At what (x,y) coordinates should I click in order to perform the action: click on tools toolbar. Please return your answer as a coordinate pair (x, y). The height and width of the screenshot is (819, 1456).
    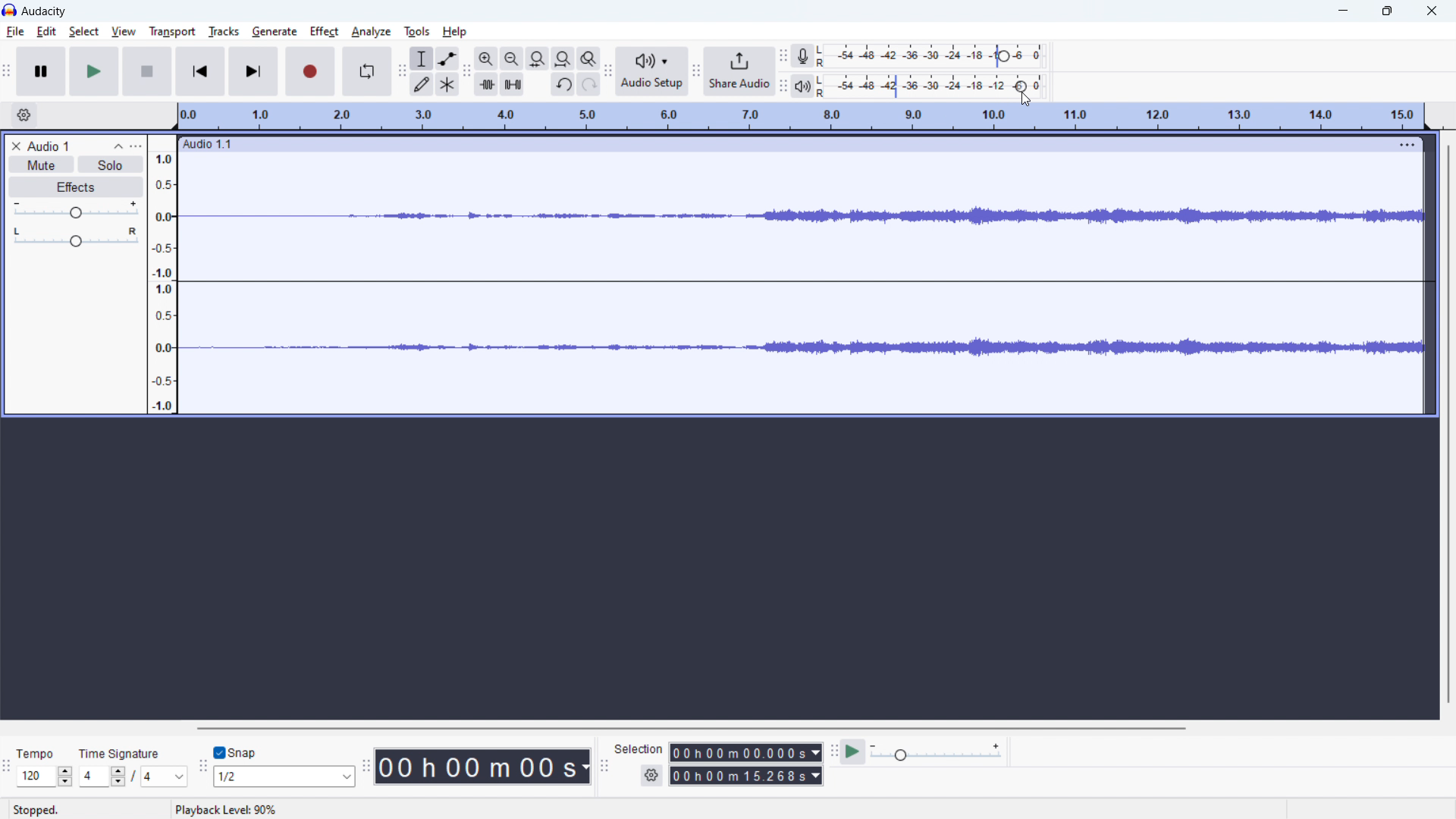
    Looking at the image, I should click on (400, 70).